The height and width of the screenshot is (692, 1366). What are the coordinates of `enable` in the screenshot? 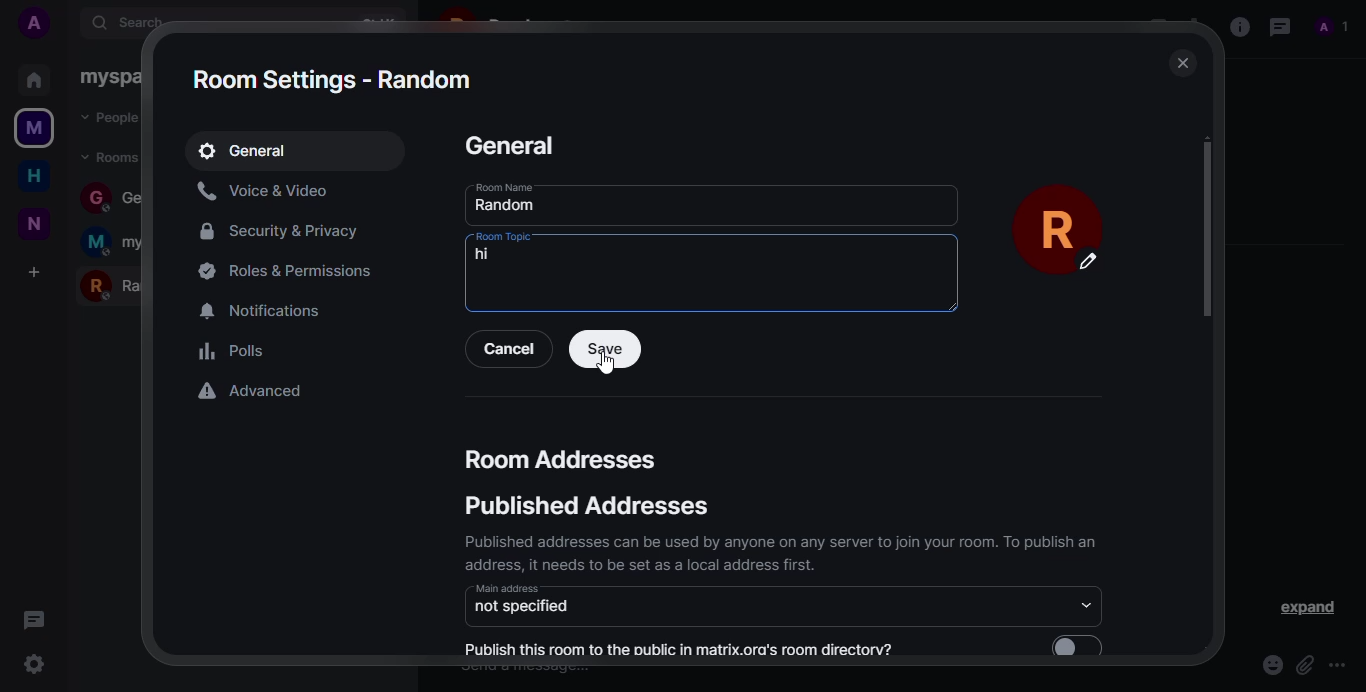 It's located at (1082, 646).